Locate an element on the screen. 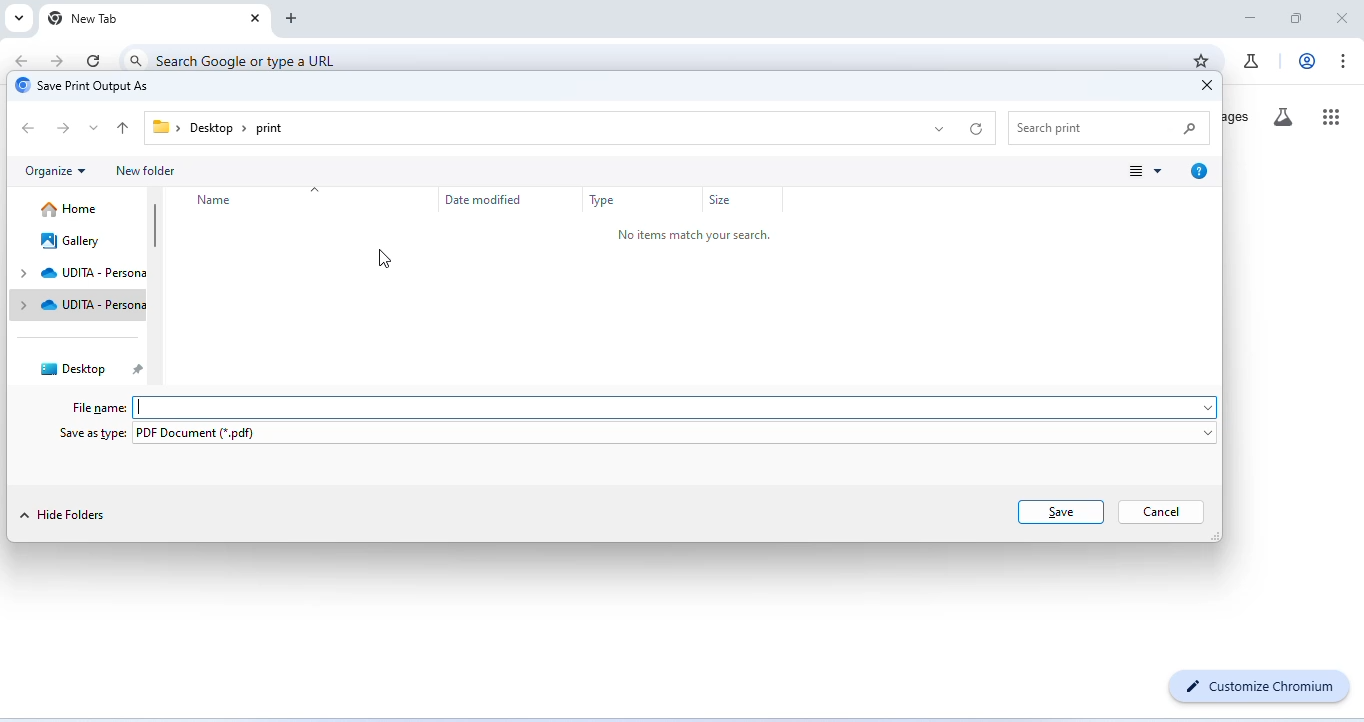 This screenshot has width=1364, height=722. udita personal is located at coordinates (80, 306).